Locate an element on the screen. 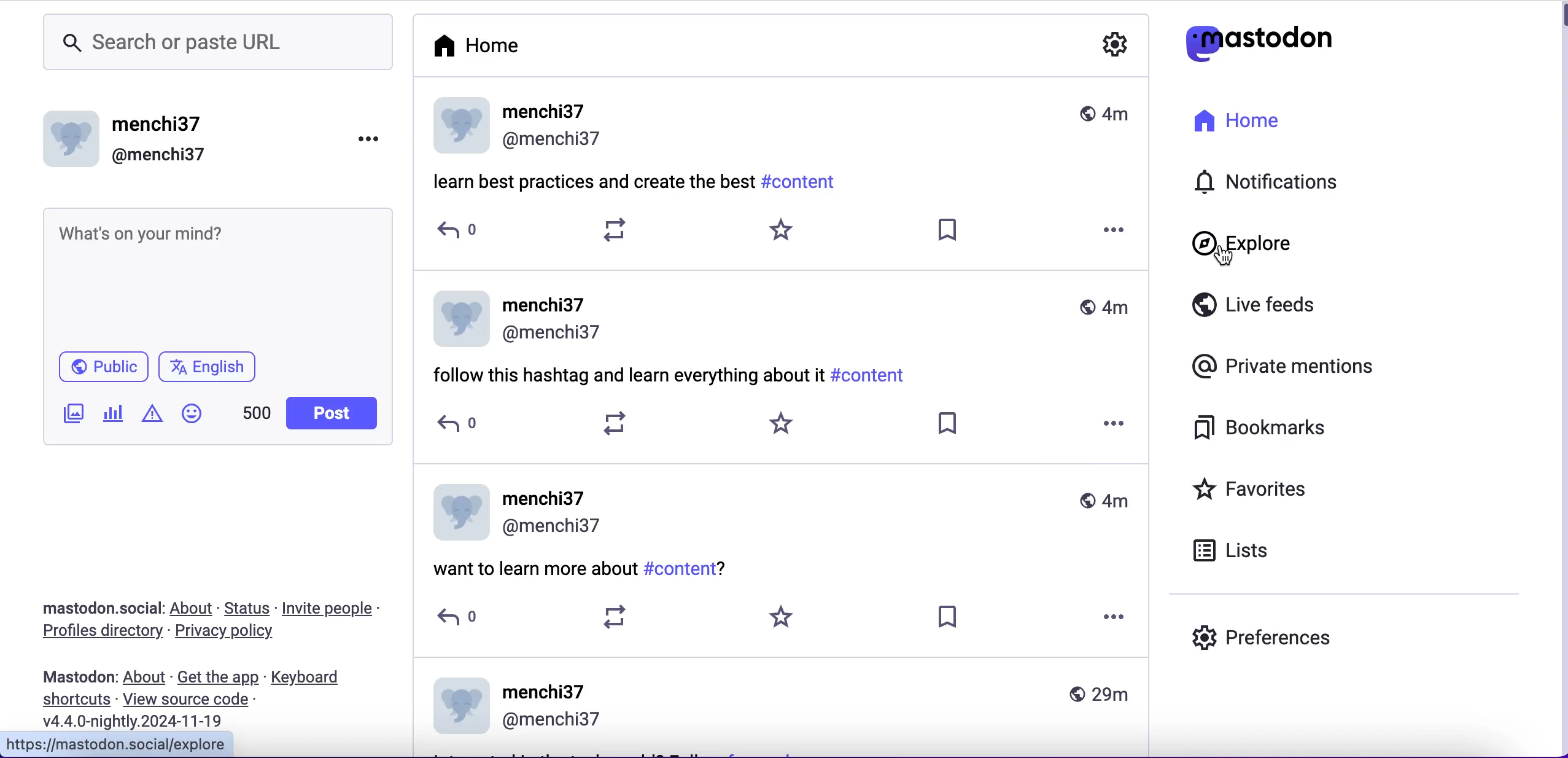 This screenshot has width=1568, height=758. status is located at coordinates (247, 609).